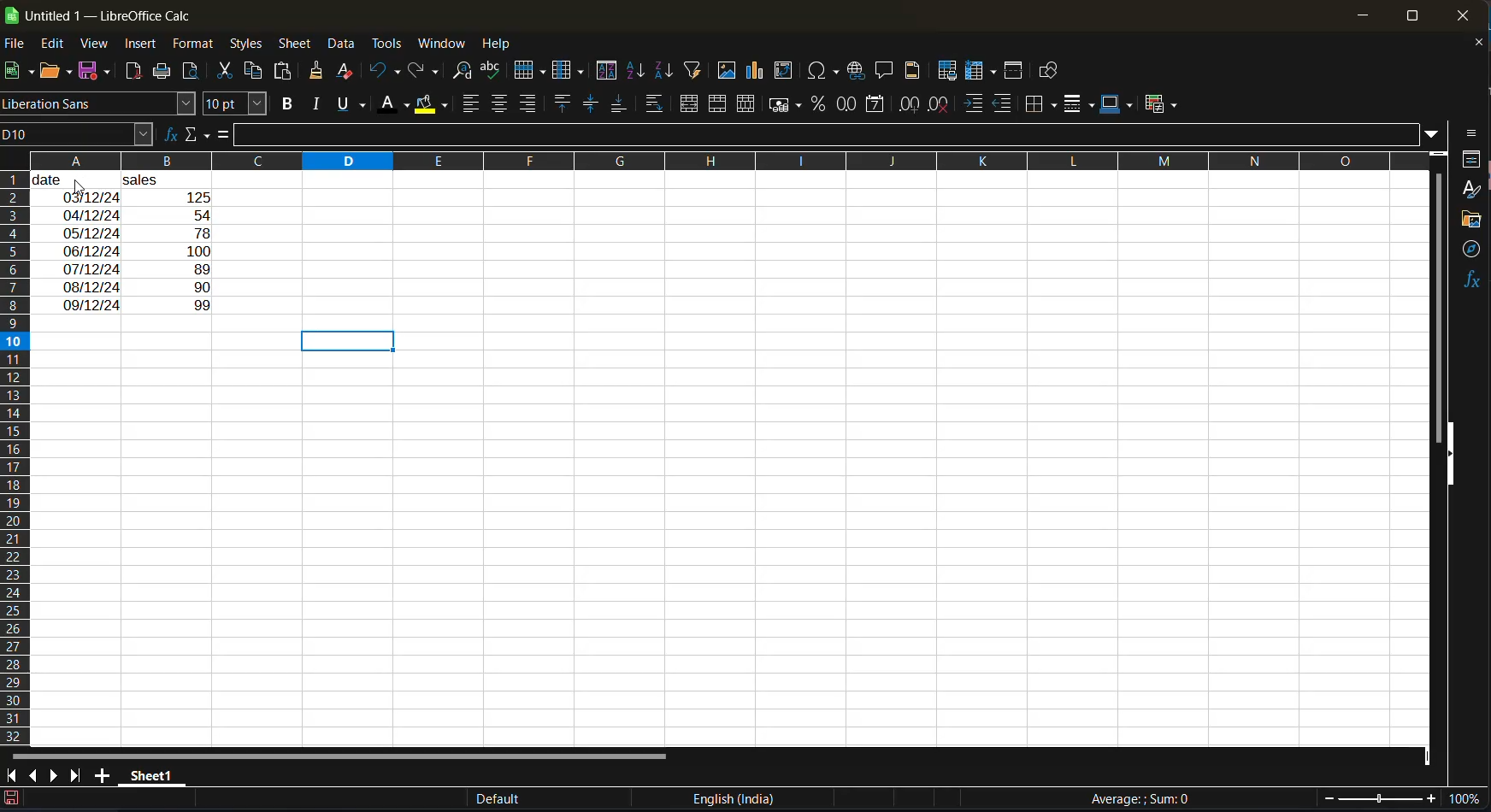  I want to click on format as currency, so click(787, 106).